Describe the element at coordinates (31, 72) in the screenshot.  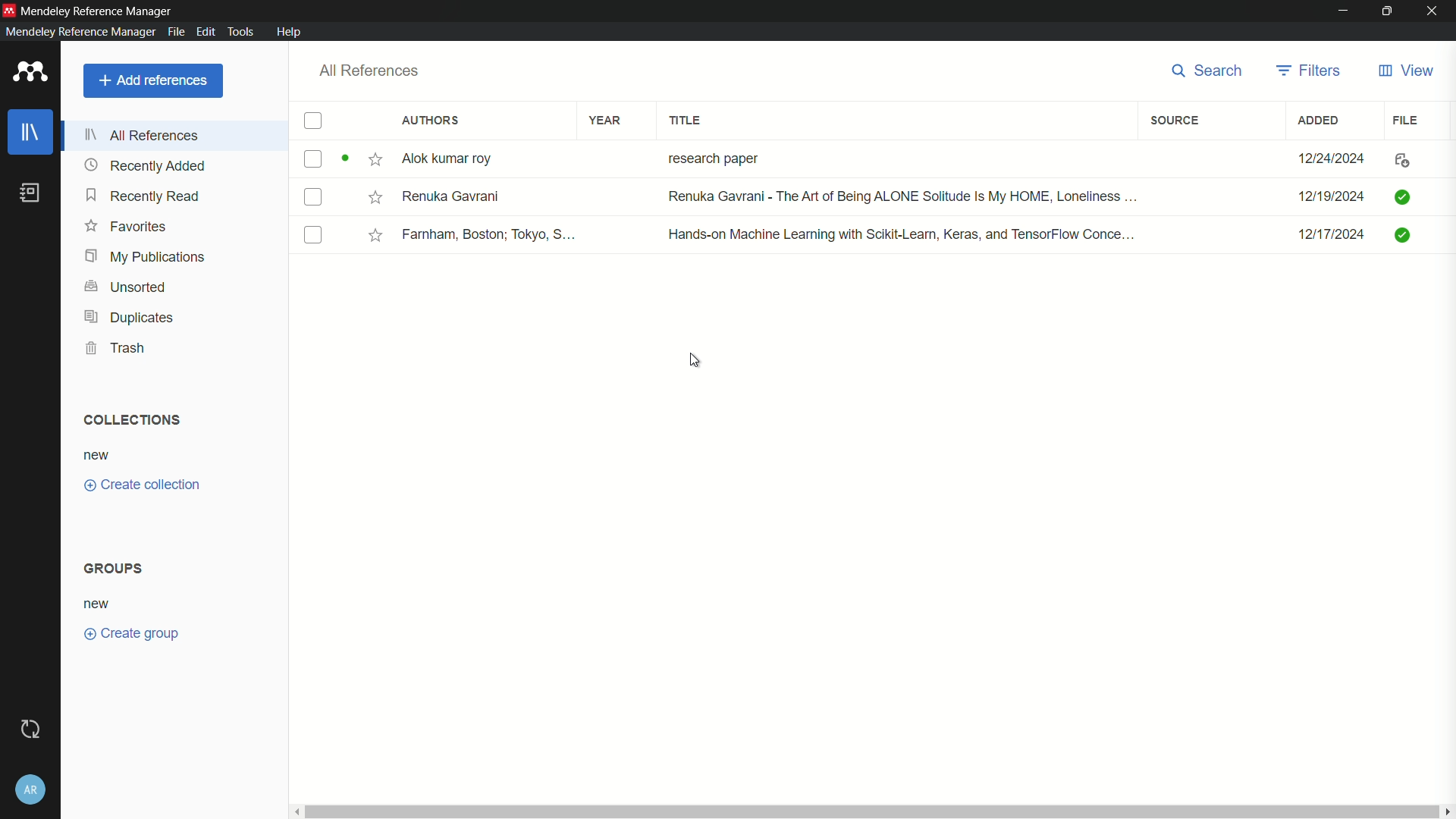
I see `app icon` at that location.